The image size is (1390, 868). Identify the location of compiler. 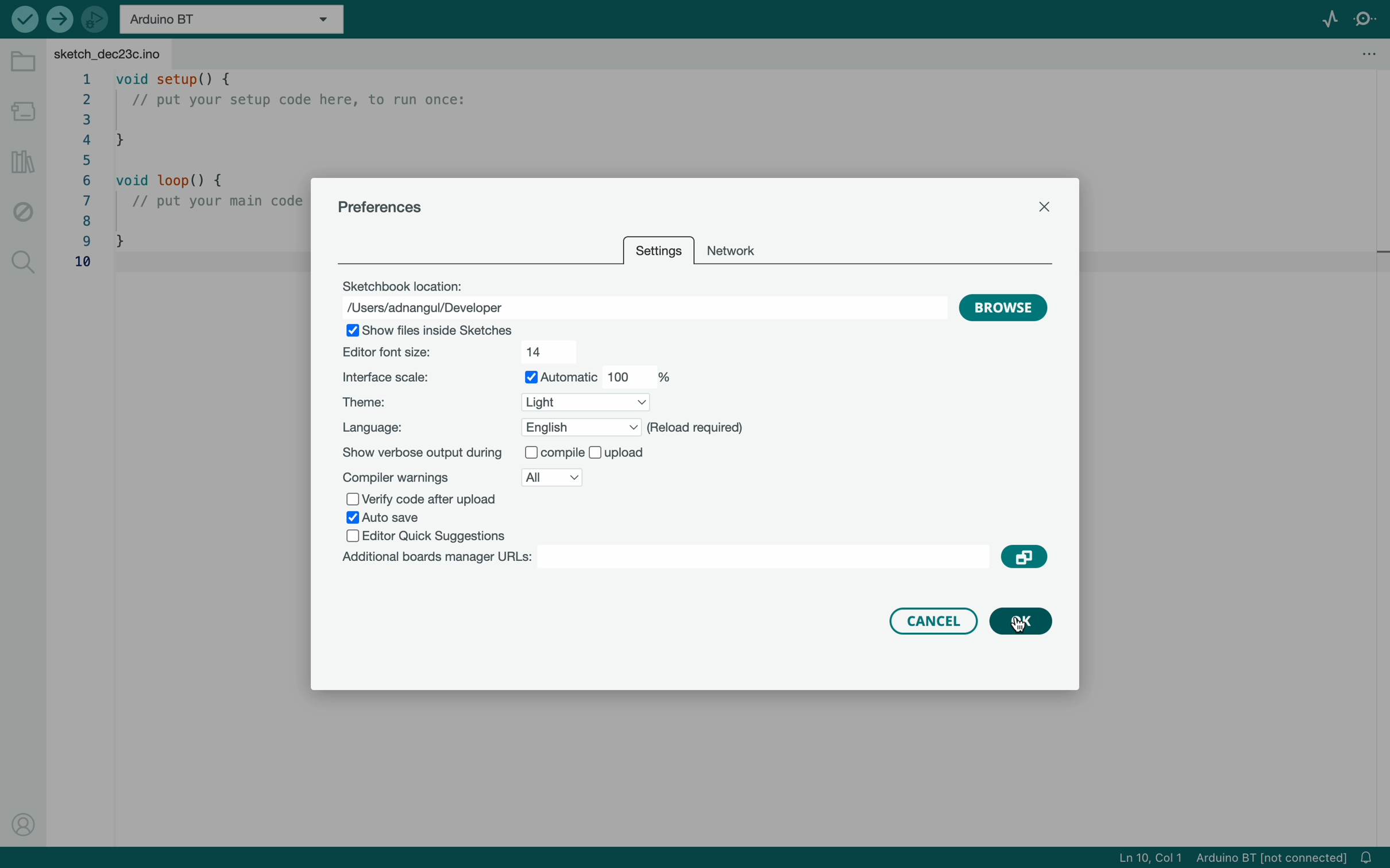
(469, 478).